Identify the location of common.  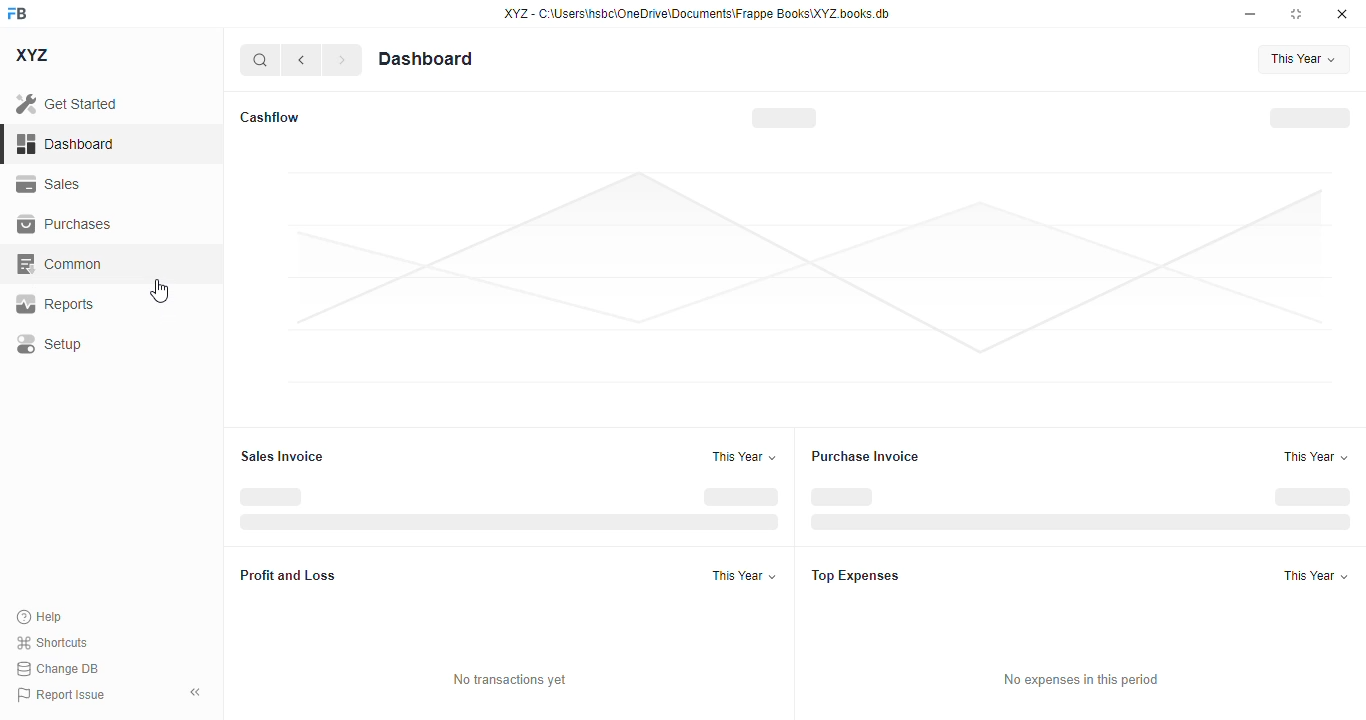
(59, 264).